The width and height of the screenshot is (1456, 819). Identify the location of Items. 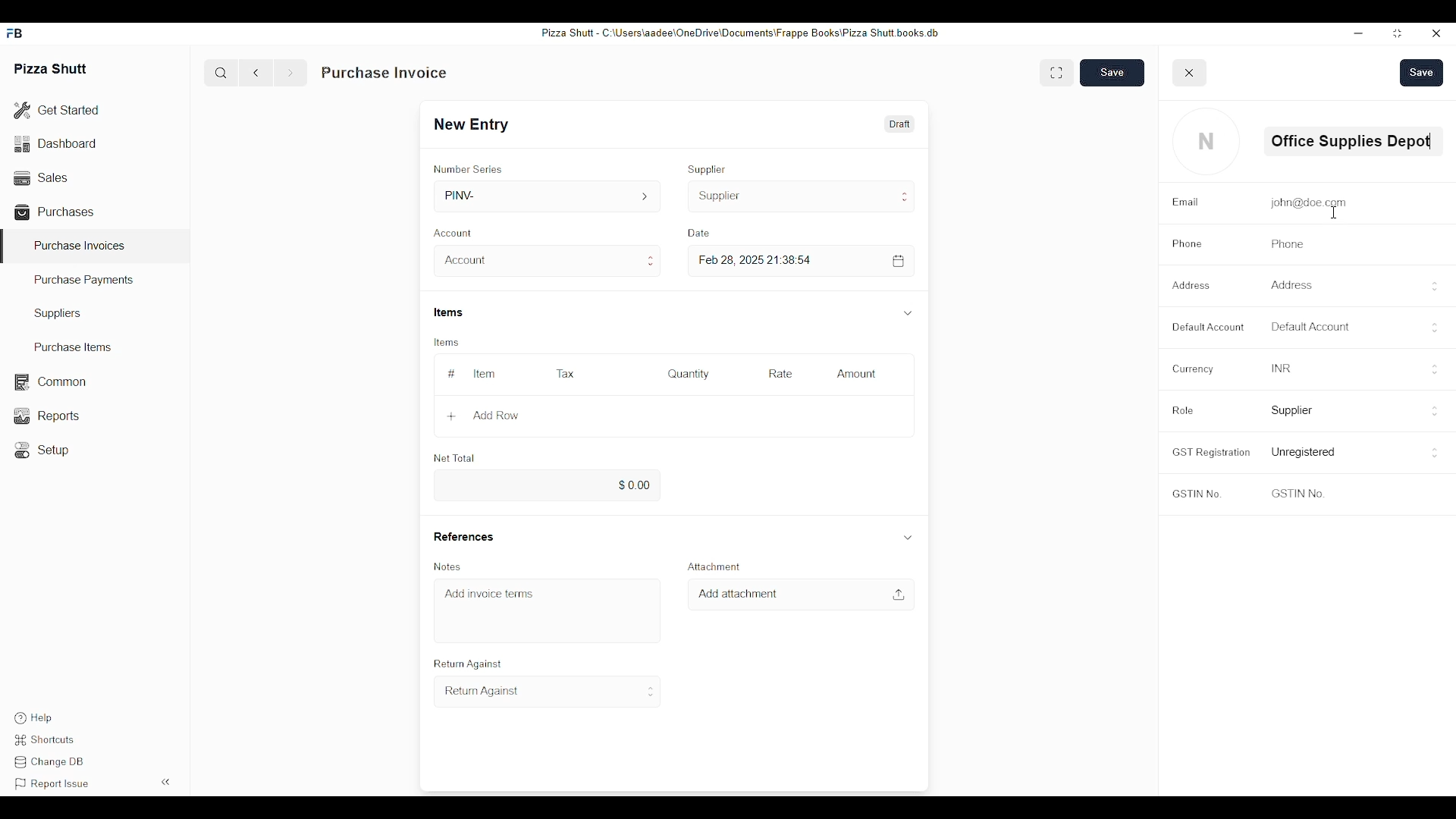
(450, 312).